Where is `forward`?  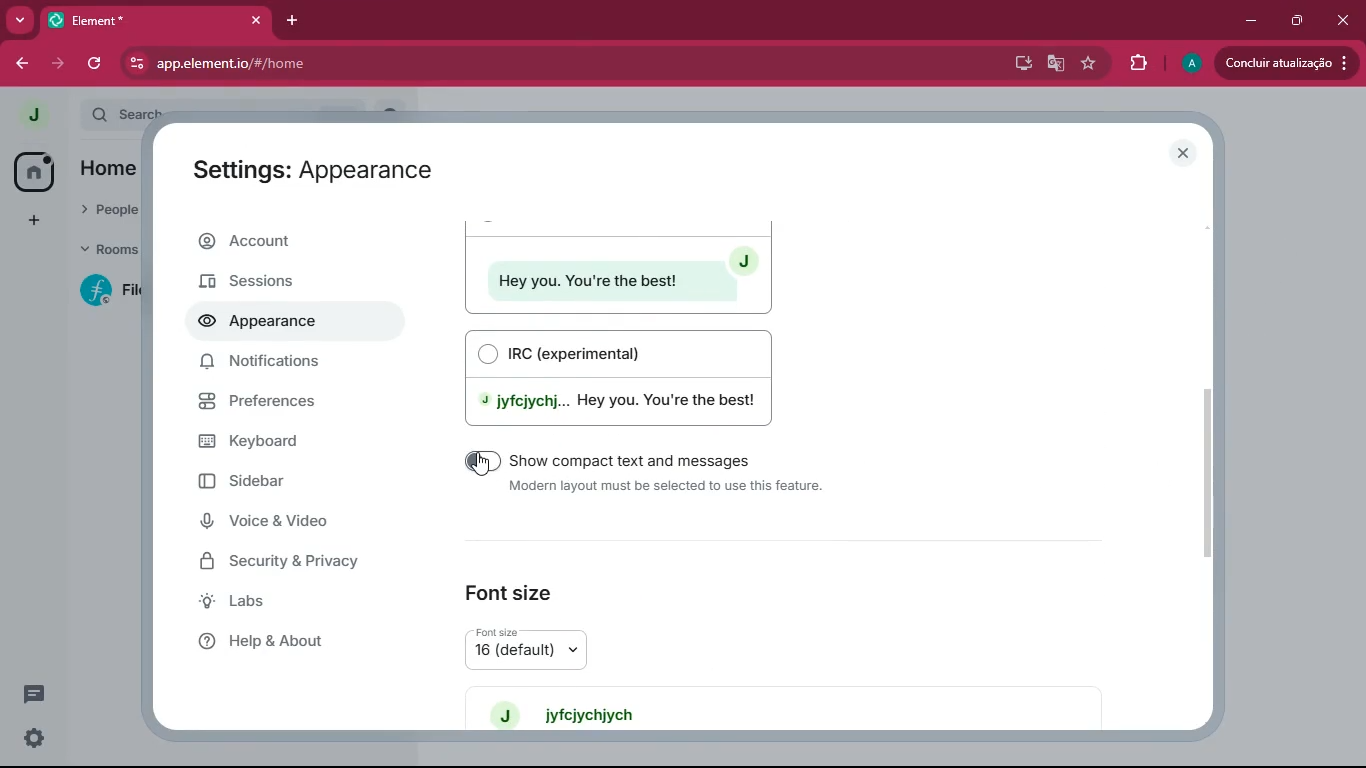 forward is located at coordinates (58, 65).